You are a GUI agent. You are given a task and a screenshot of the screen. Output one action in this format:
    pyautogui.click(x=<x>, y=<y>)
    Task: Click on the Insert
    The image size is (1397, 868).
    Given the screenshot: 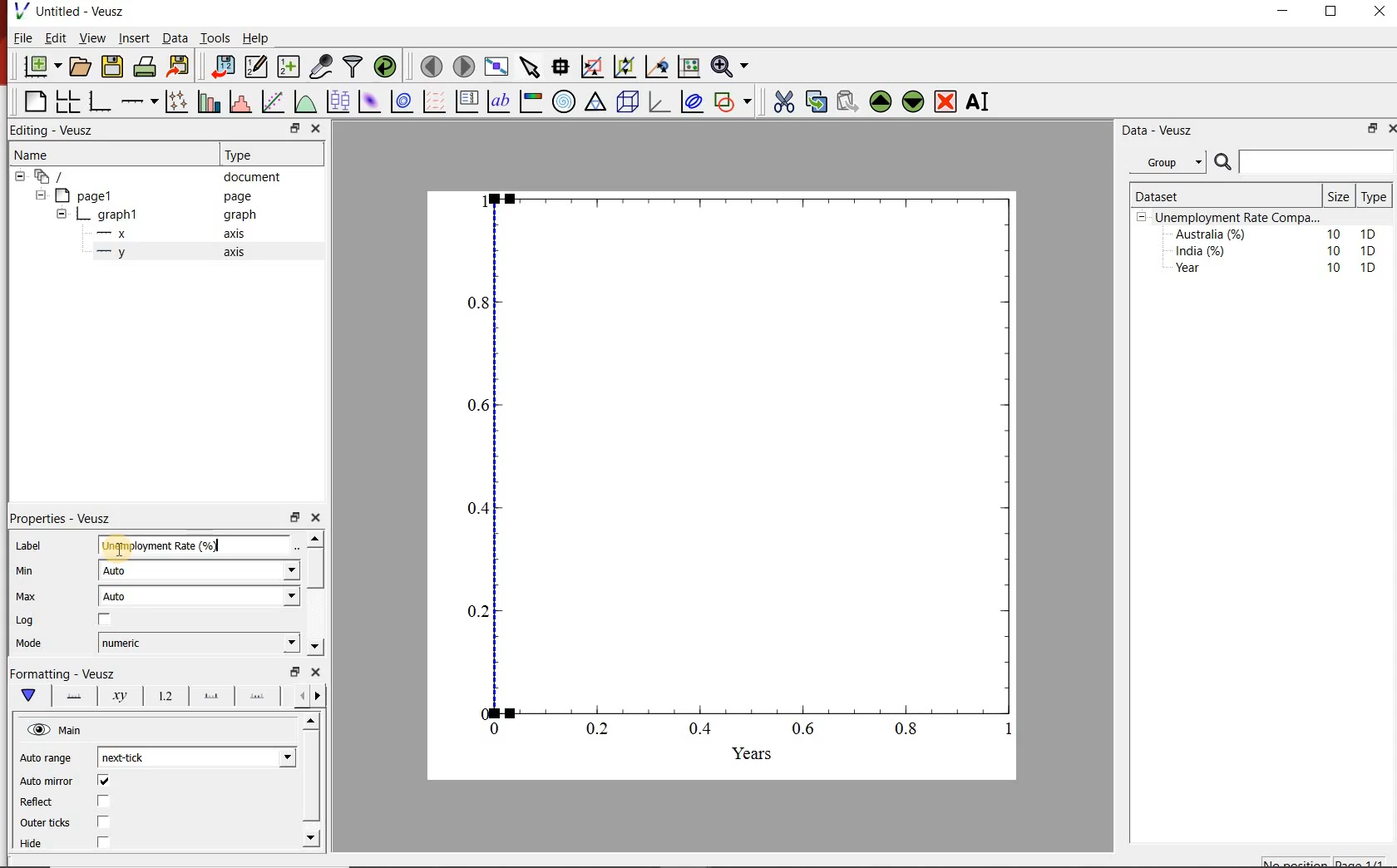 What is the action you would take?
    pyautogui.click(x=133, y=37)
    